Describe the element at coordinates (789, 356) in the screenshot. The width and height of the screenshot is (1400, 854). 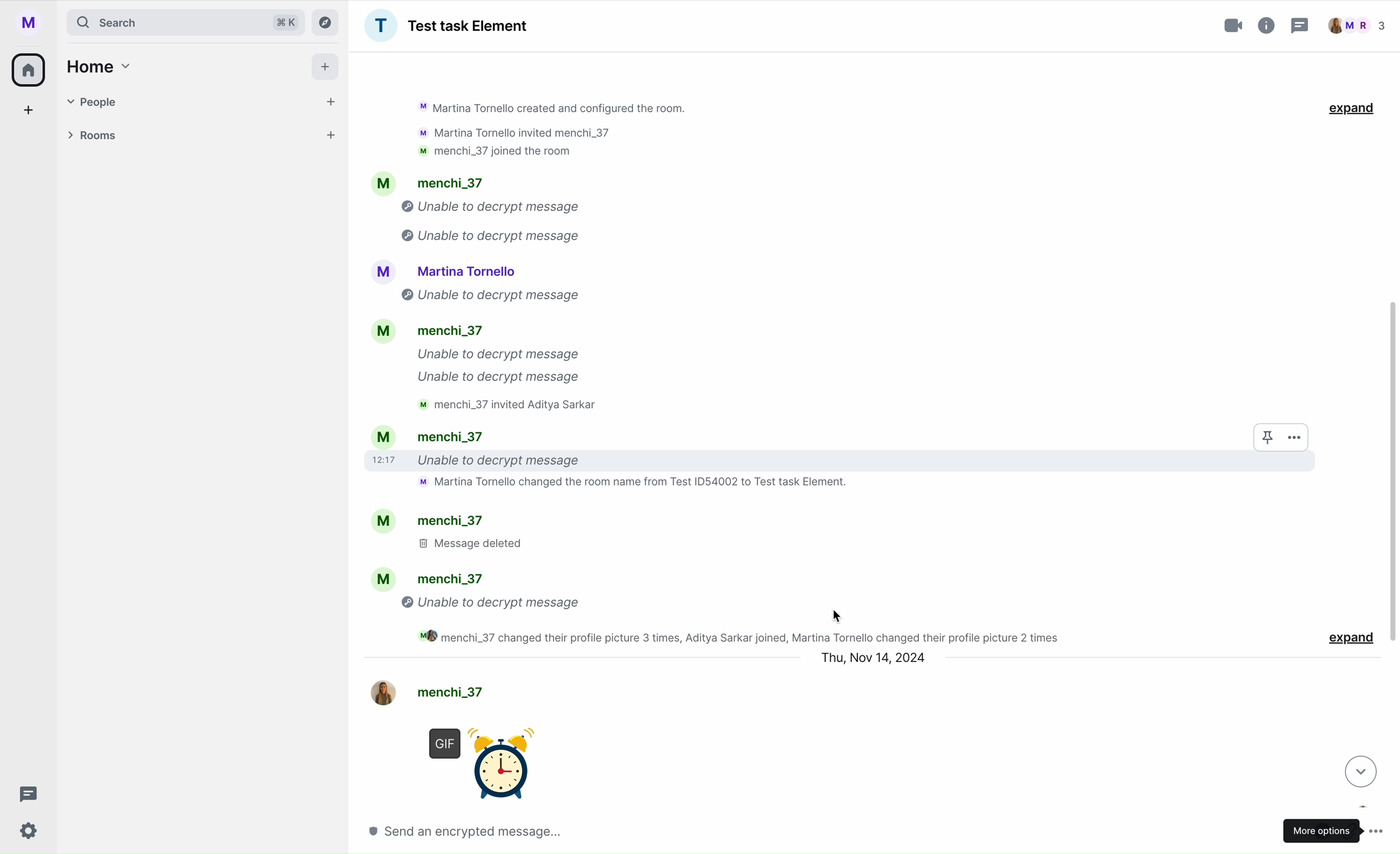
I see `activity chat` at that location.